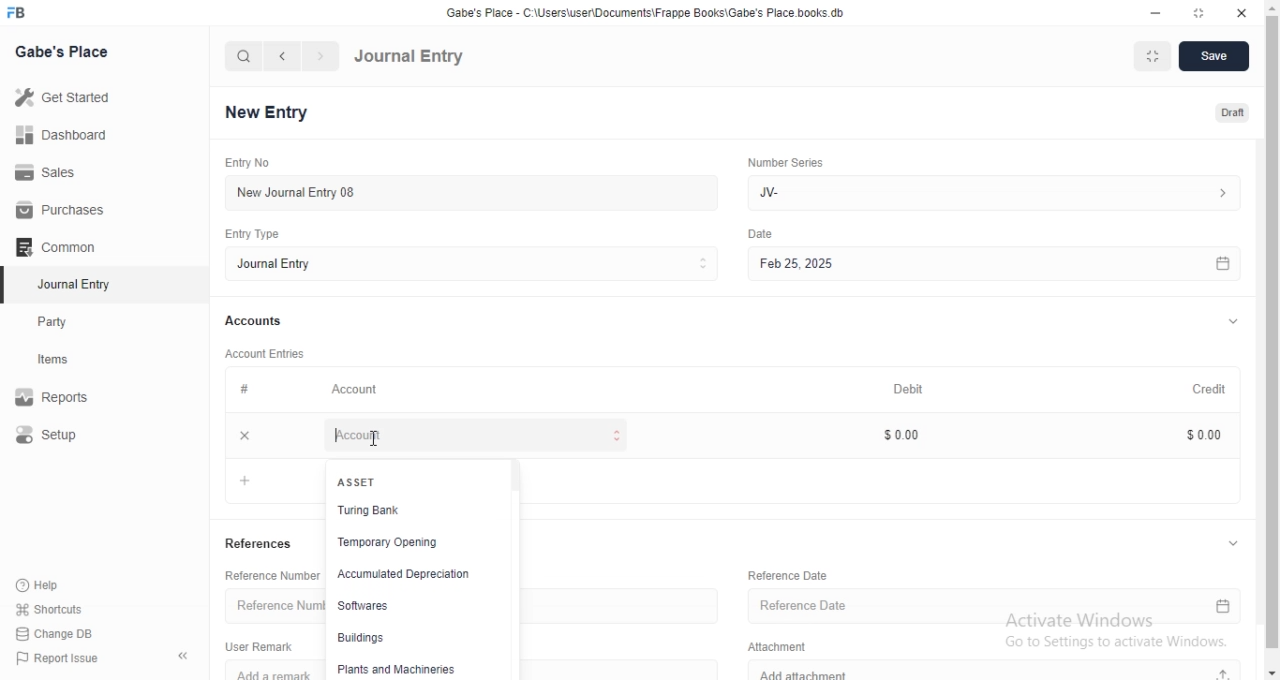 The image size is (1280, 680). I want to click on Credit, so click(1216, 389).